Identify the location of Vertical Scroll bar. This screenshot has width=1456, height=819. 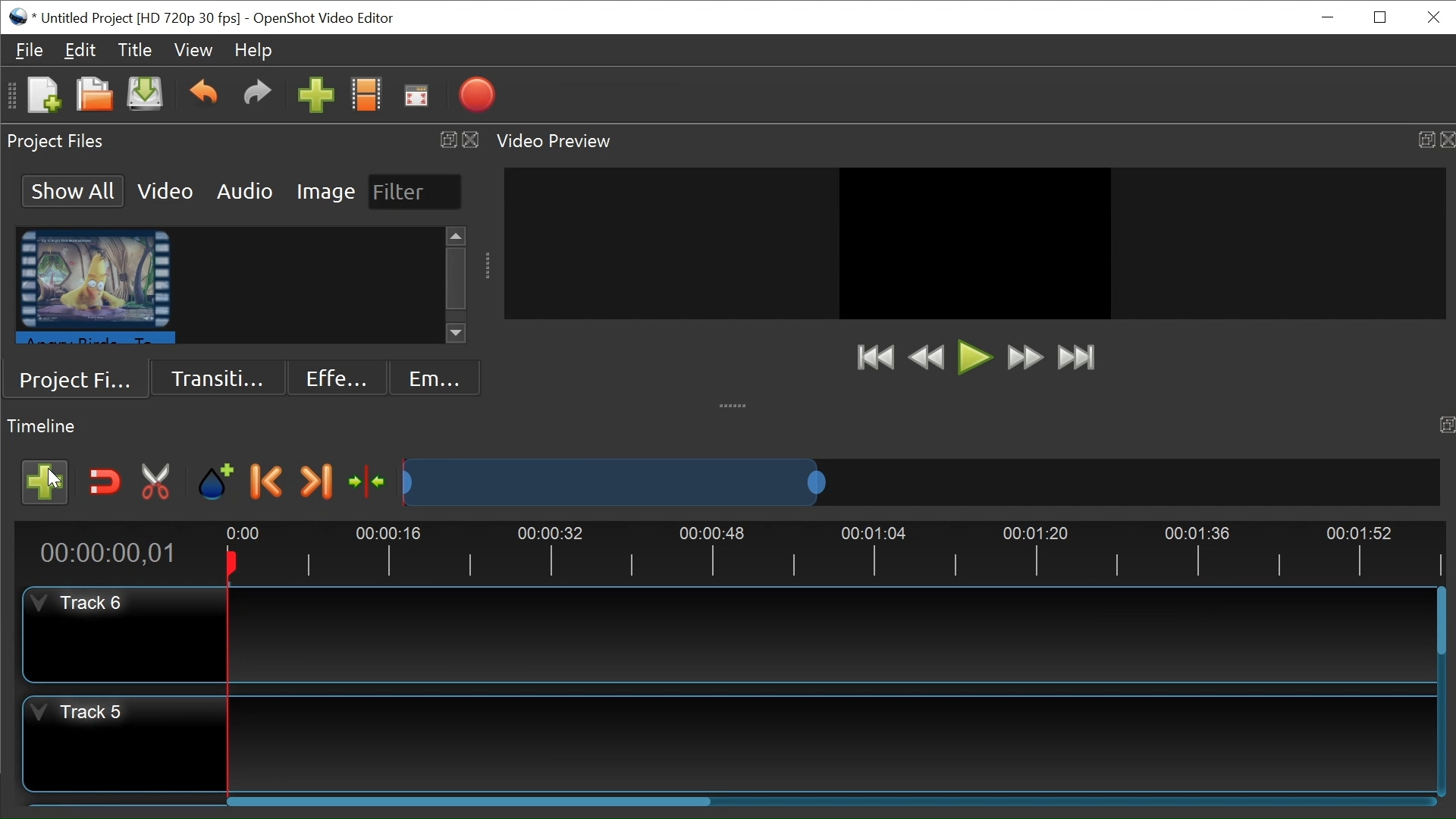
(457, 277).